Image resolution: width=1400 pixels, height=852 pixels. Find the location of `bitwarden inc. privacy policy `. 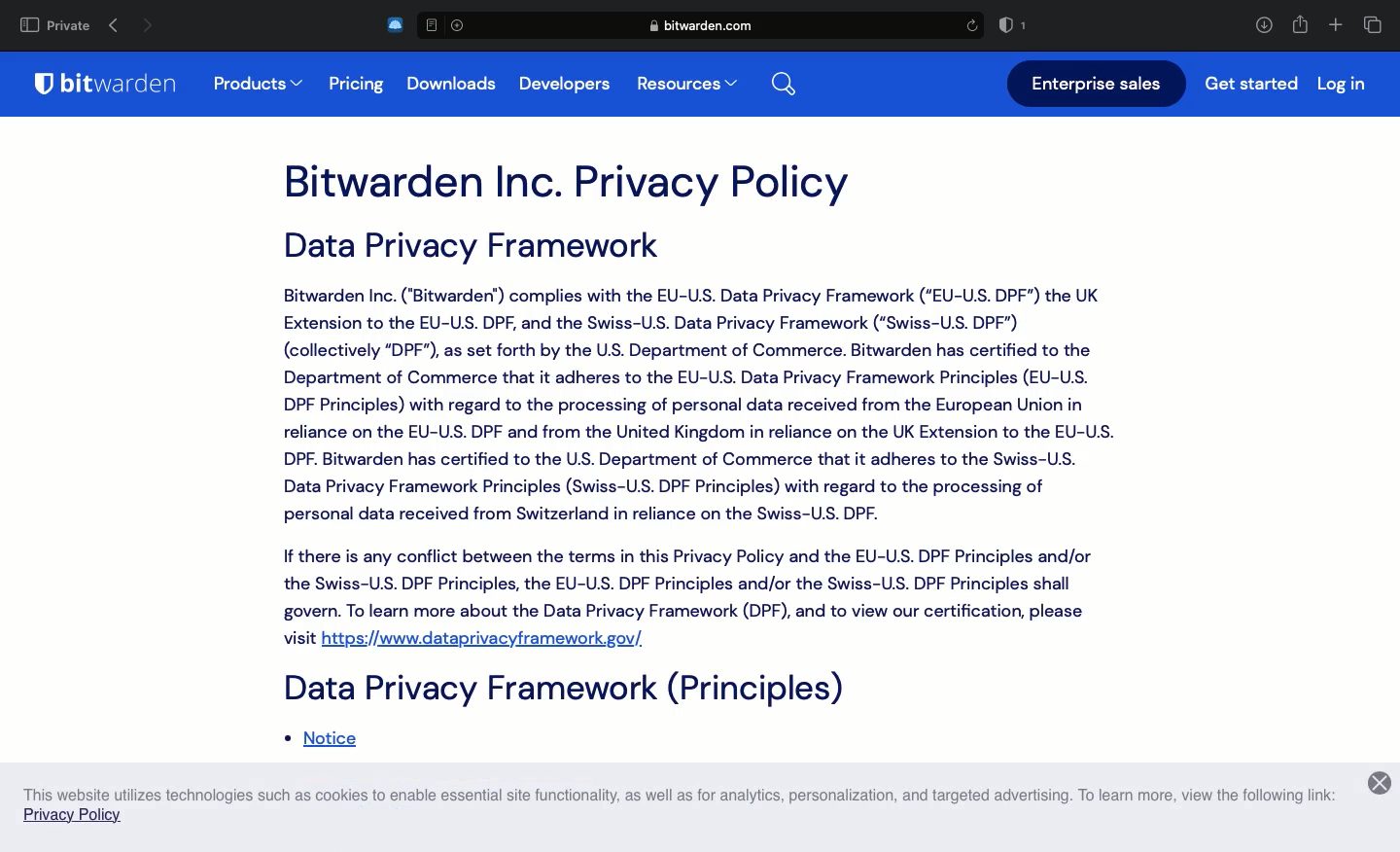

bitwarden inc. privacy policy  is located at coordinates (571, 185).